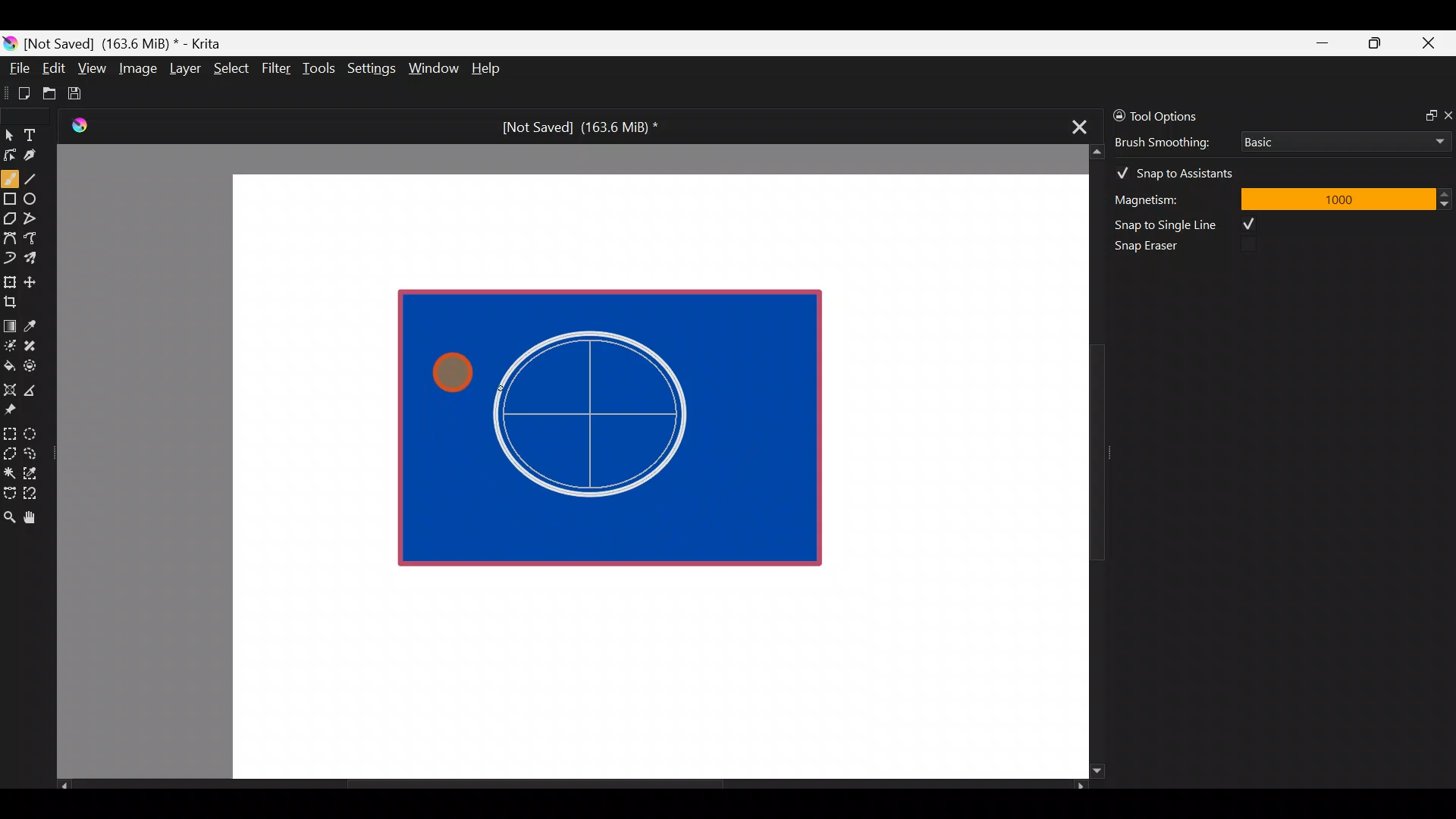 Image resolution: width=1456 pixels, height=819 pixels. I want to click on Rectangular selection tool, so click(13, 431).